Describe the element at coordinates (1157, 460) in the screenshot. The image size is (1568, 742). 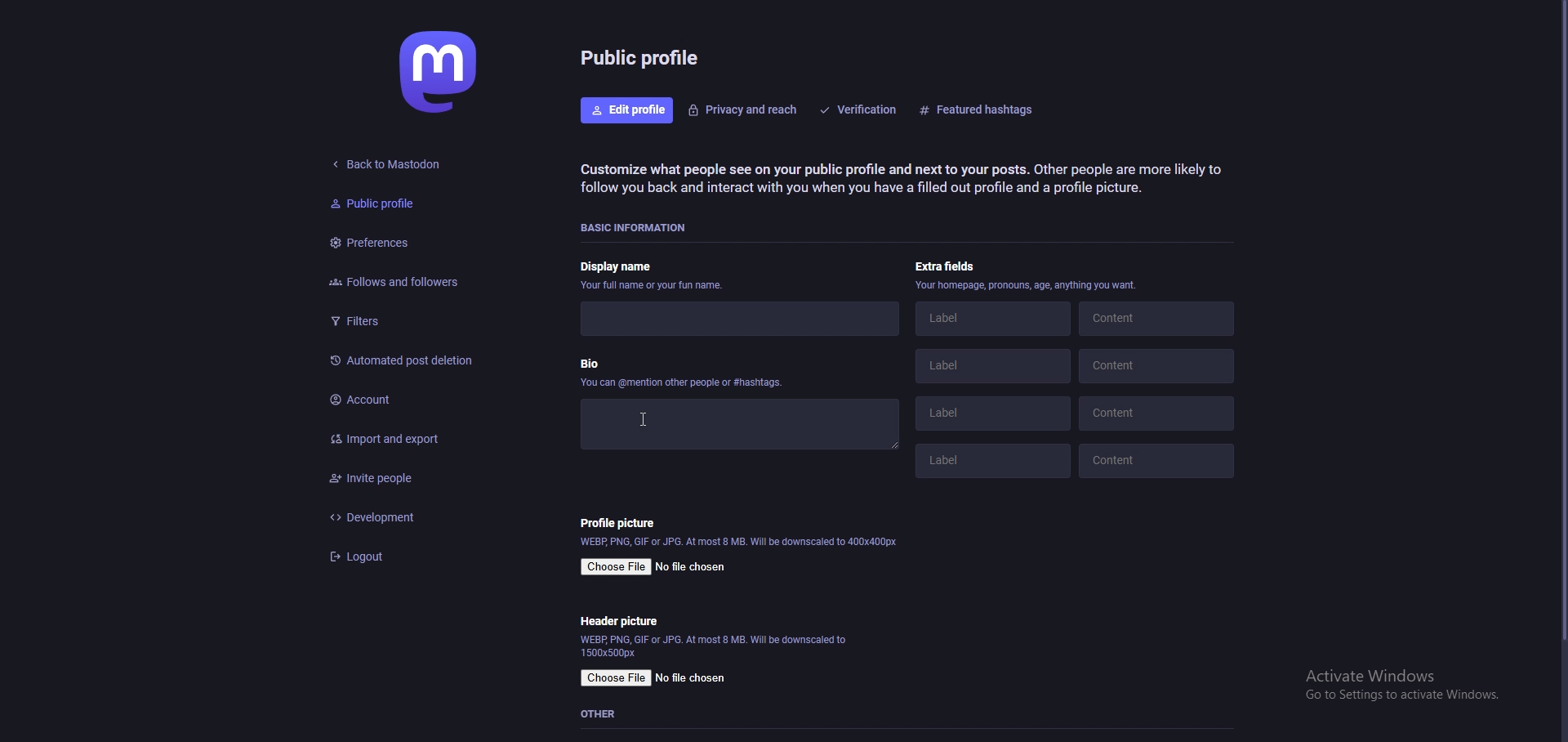
I see `content` at that location.